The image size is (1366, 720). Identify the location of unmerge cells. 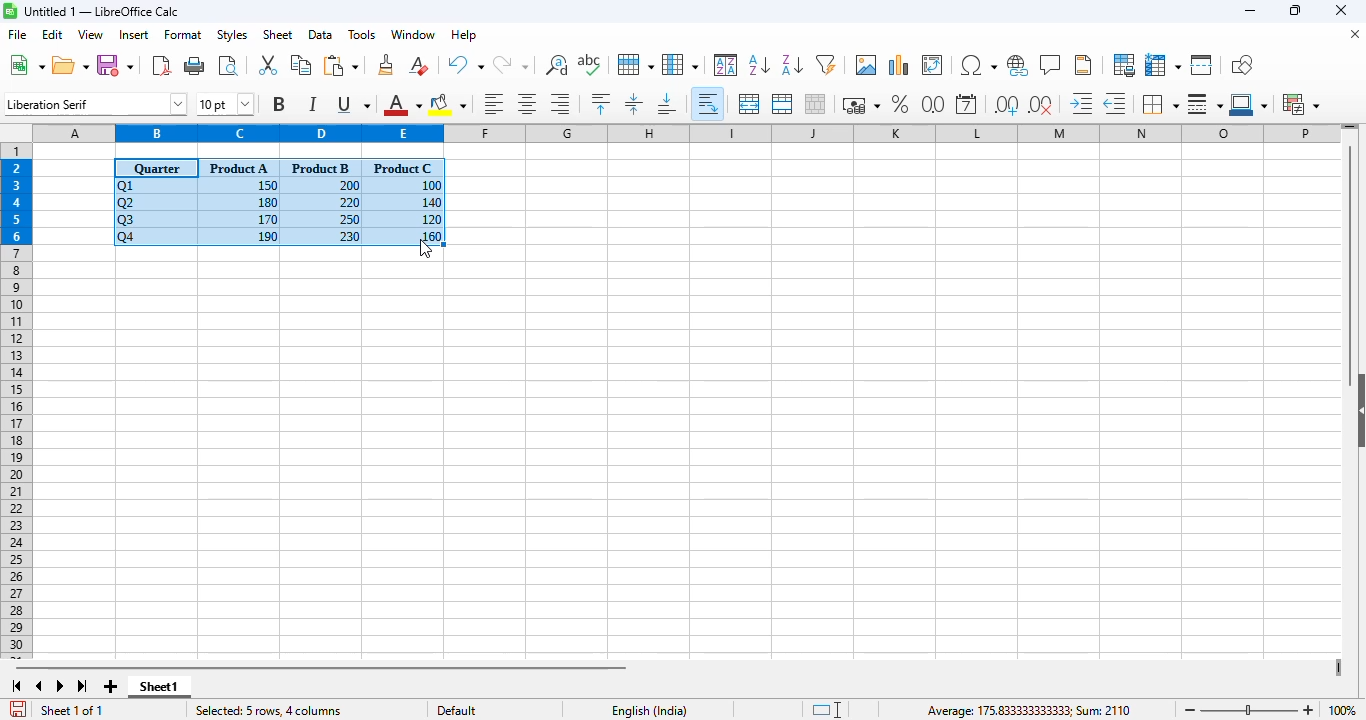
(814, 103).